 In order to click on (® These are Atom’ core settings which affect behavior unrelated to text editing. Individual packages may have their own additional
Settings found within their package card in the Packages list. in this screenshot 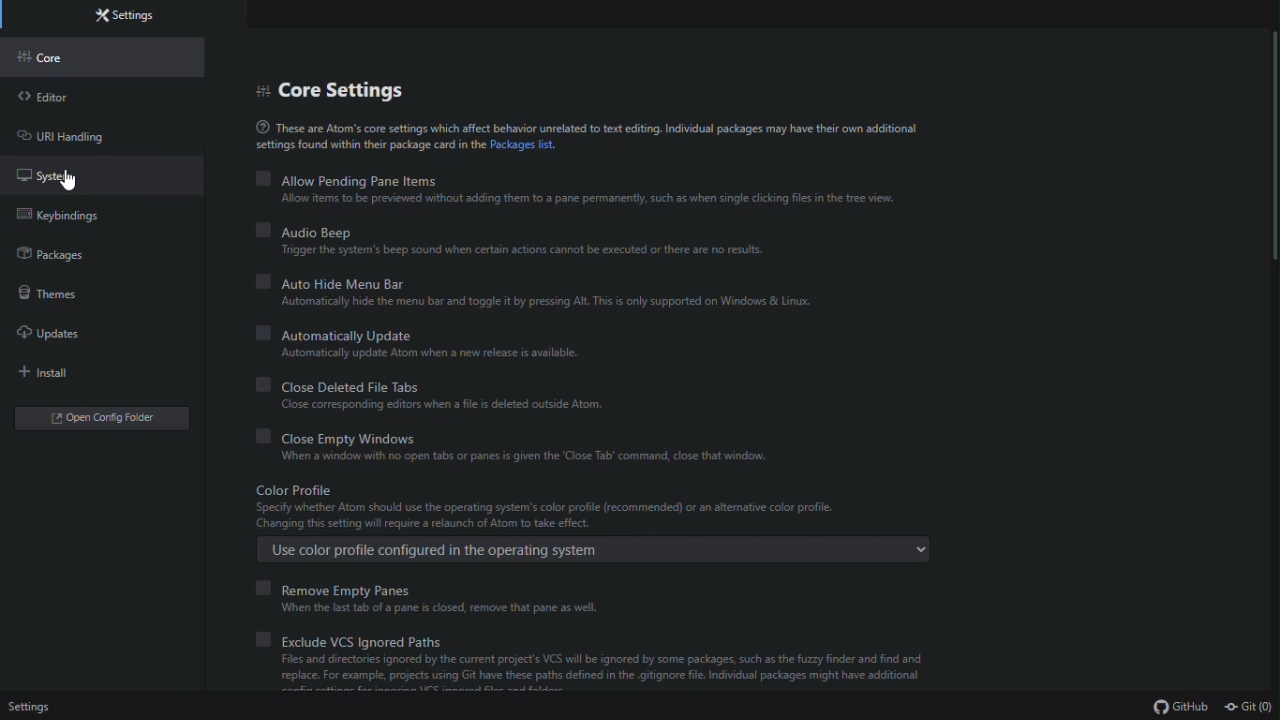, I will do `click(584, 134)`.